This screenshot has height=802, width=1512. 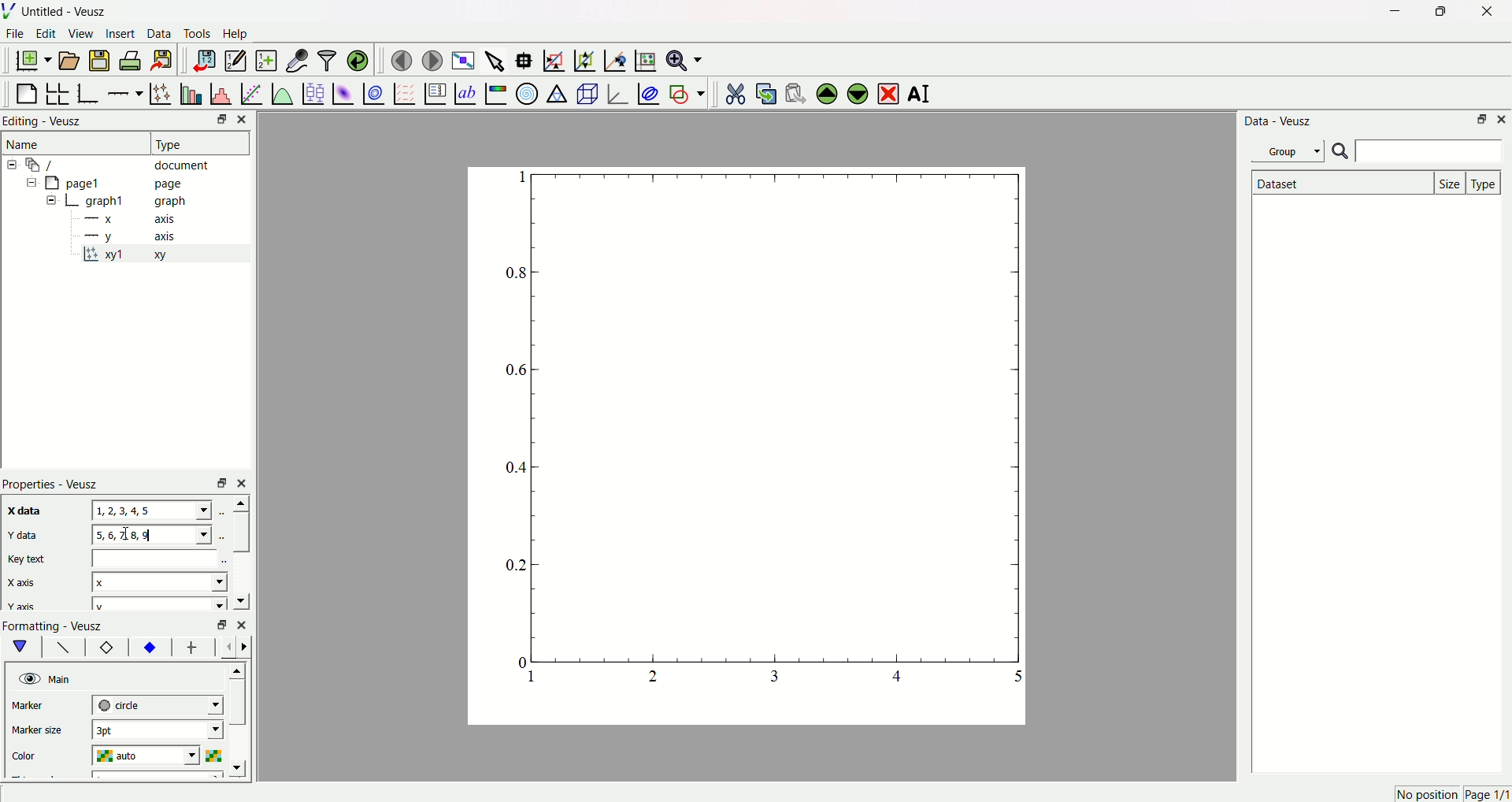 What do you see at coordinates (60, 91) in the screenshot?
I see `arrange graphs` at bounding box center [60, 91].